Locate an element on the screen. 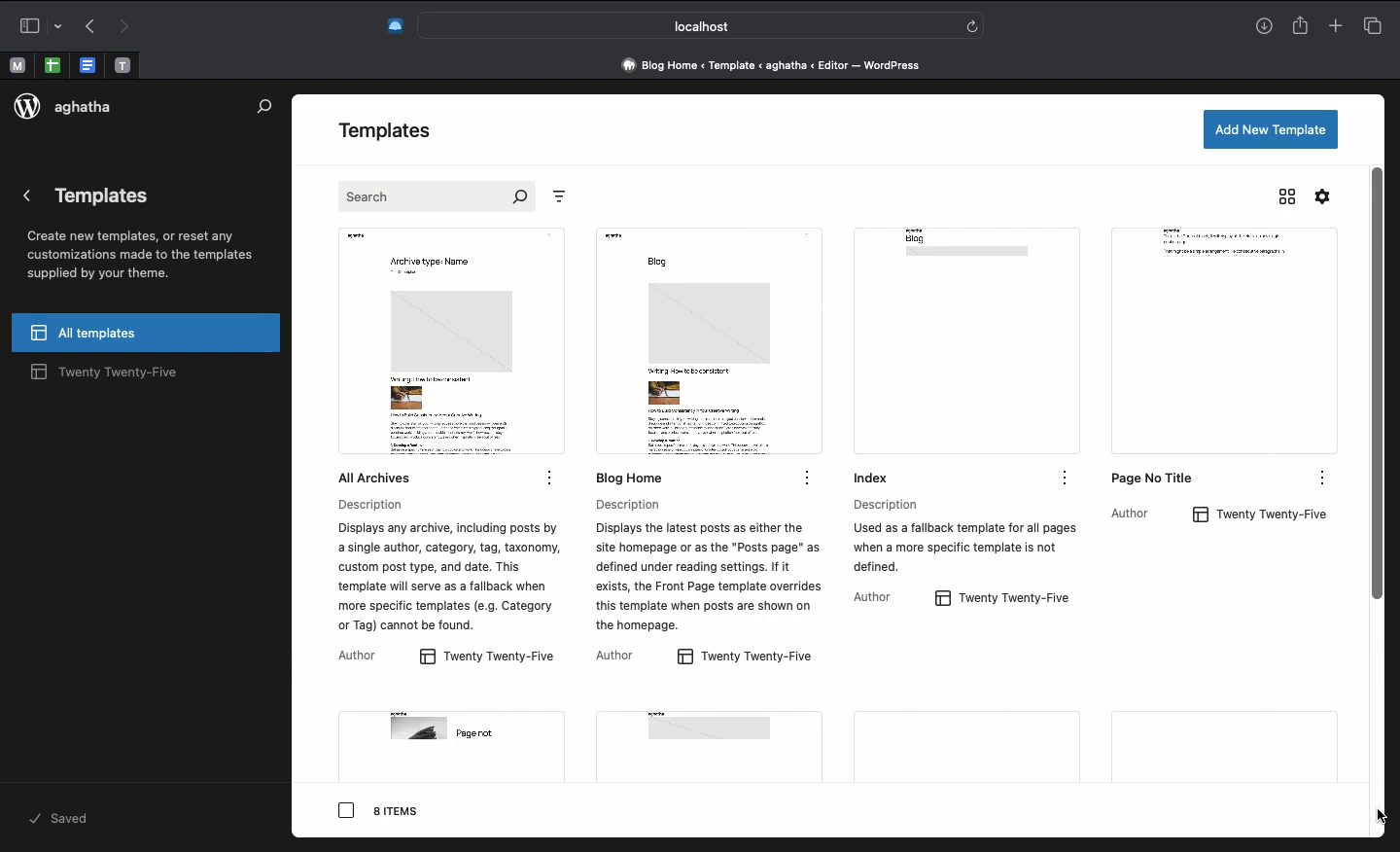  logo is located at coordinates (25, 106).